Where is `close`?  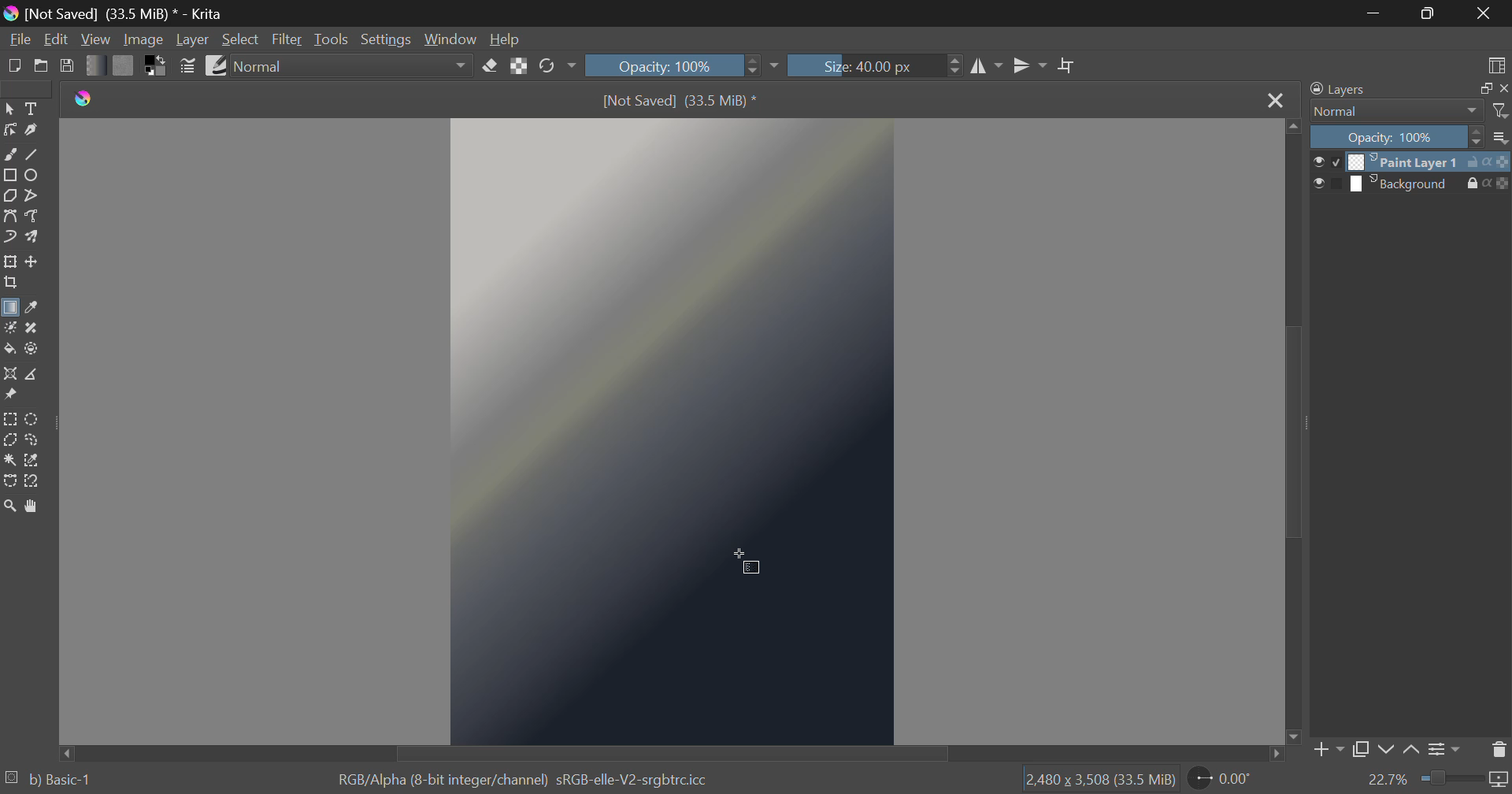 close is located at coordinates (1503, 88).